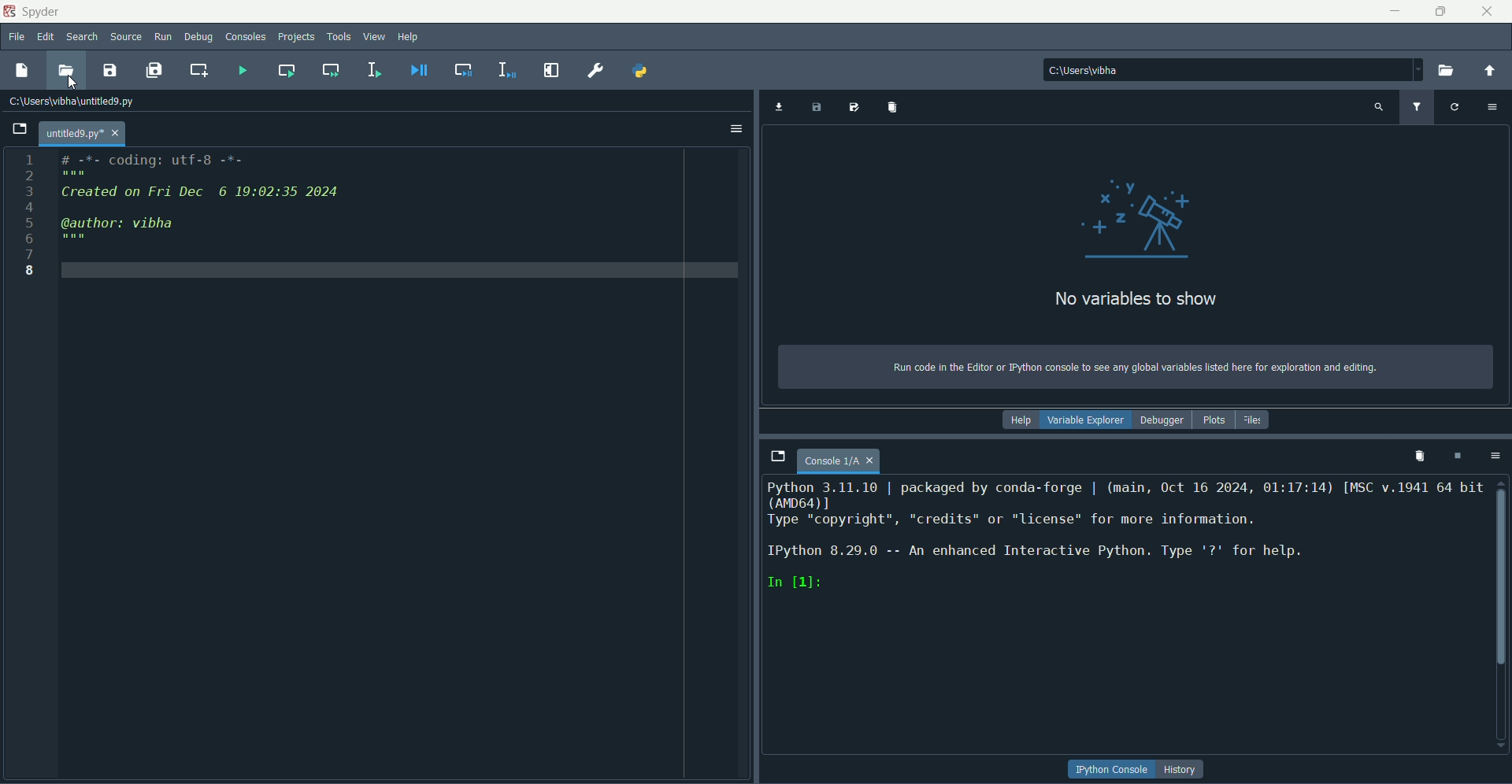 The image size is (1512, 784). Describe the element at coordinates (1417, 106) in the screenshot. I see `filter variable` at that location.